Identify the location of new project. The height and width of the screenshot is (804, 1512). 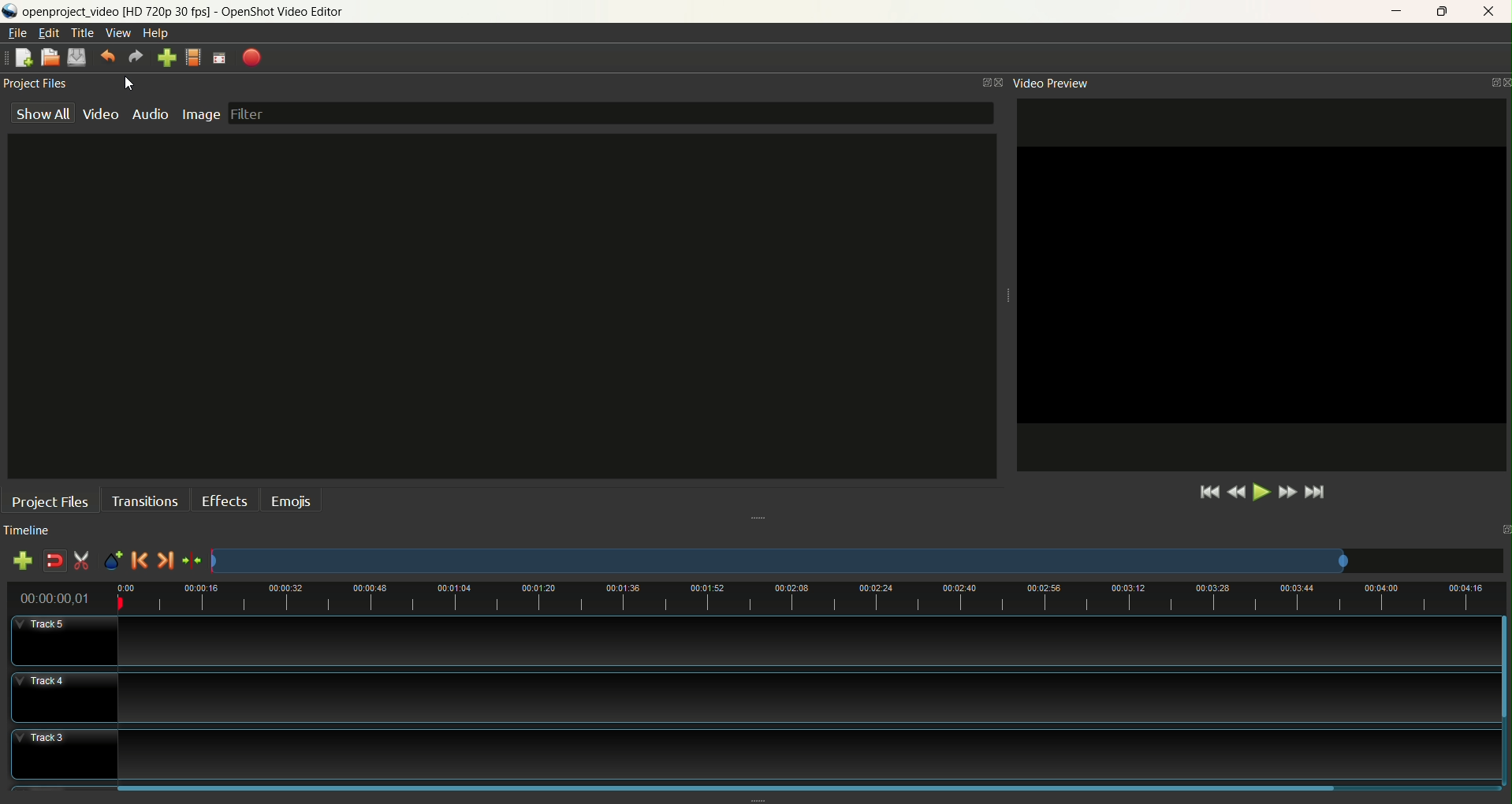
(22, 56).